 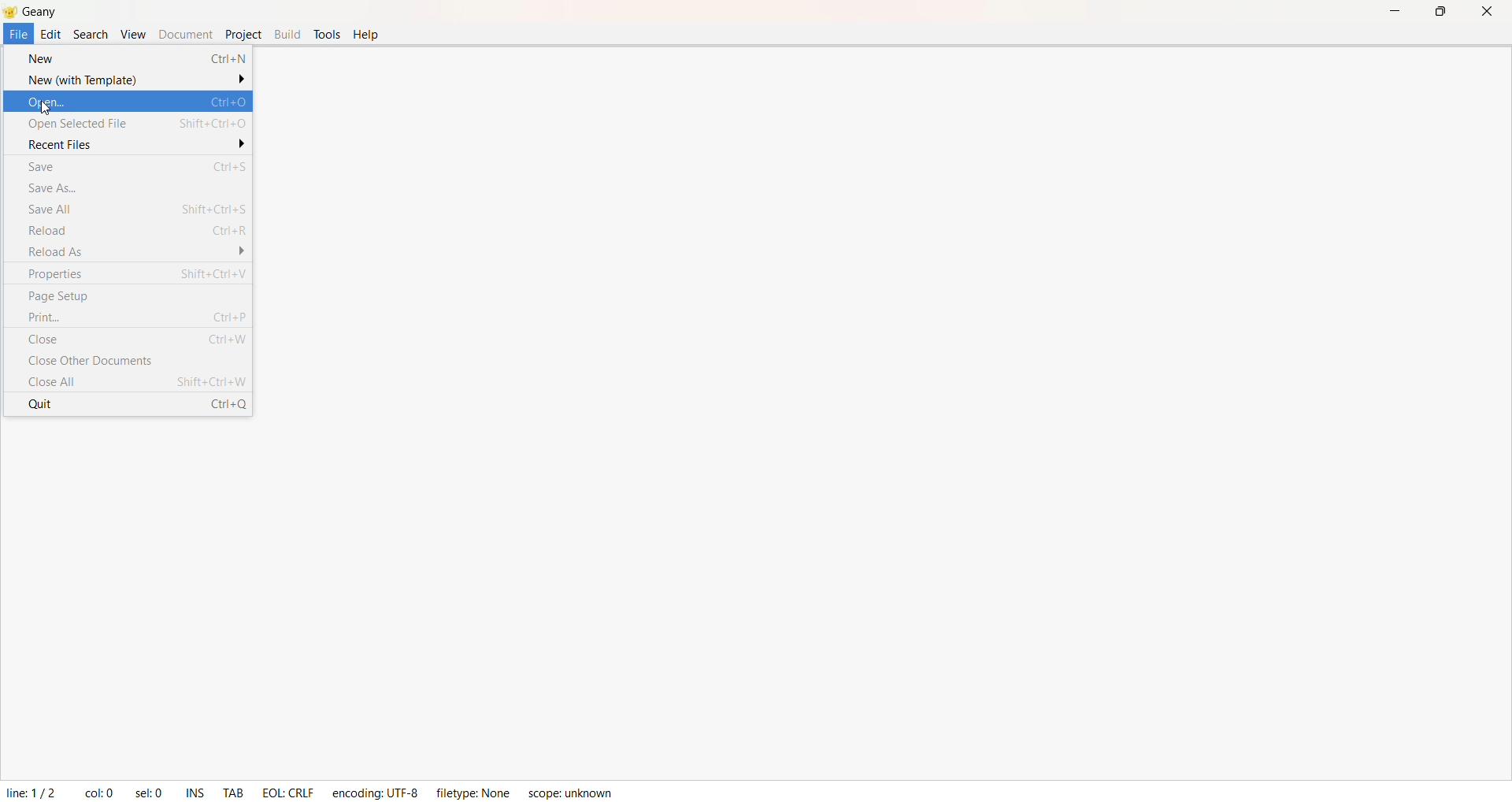 What do you see at coordinates (50, 189) in the screenshot?
I see `Save As` at bounding box center [50, 189].